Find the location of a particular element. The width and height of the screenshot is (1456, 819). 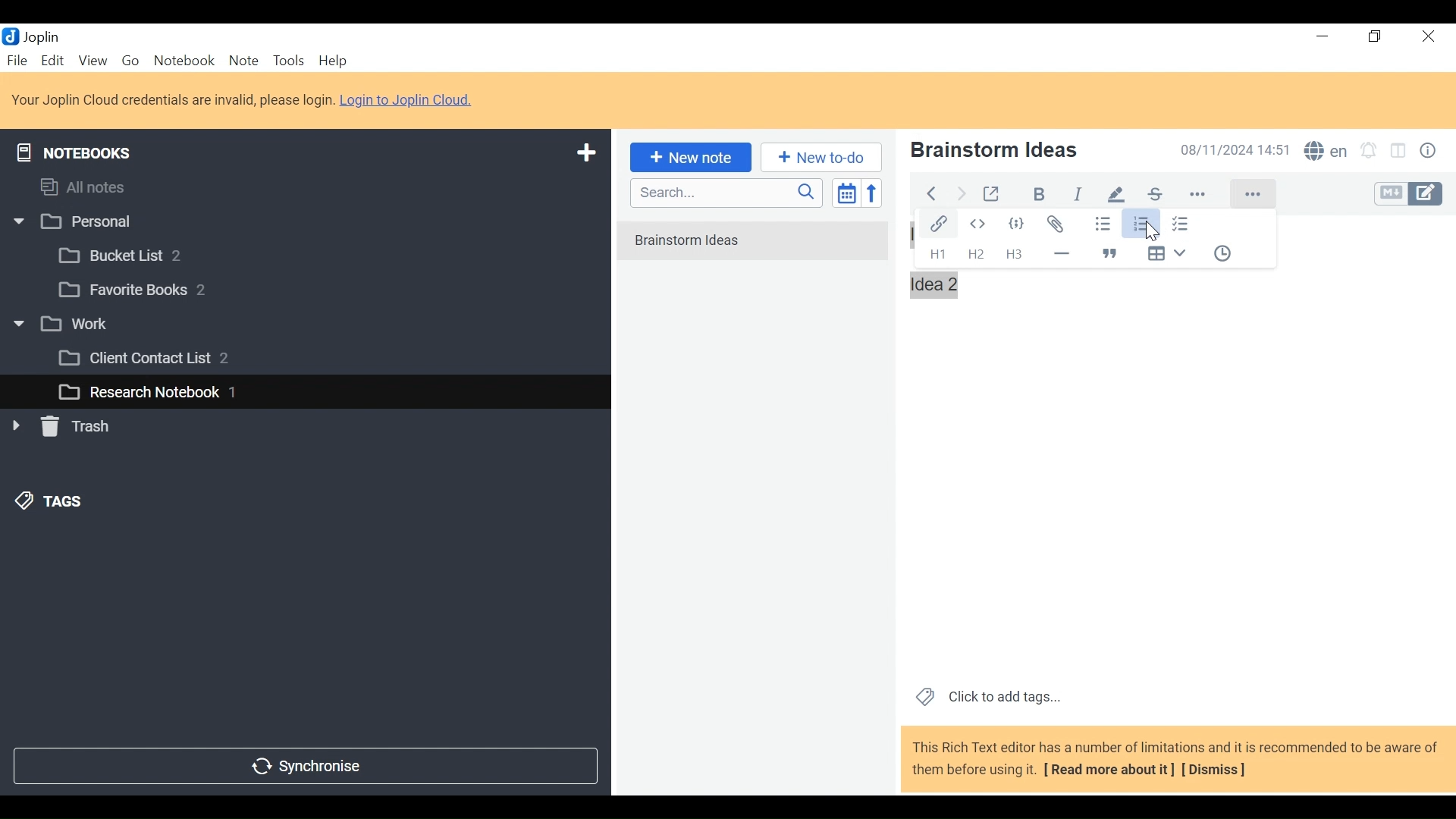

Toggle external editing is located at coordinates (991, 191).